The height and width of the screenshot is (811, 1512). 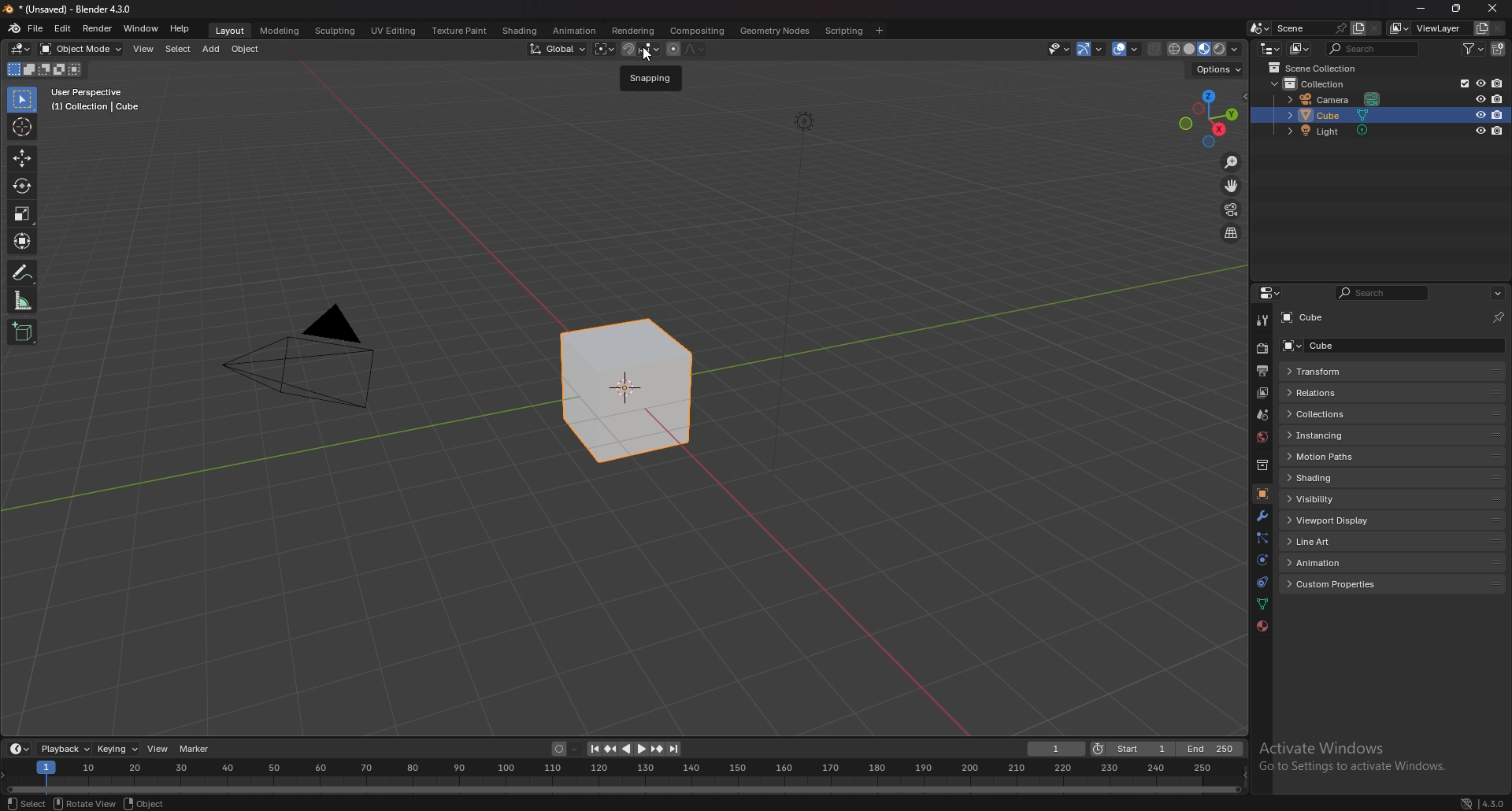 What do you see at coordinates (1262, 348) in the screenshot?
I see `render` at bounding box center [1262, 348].